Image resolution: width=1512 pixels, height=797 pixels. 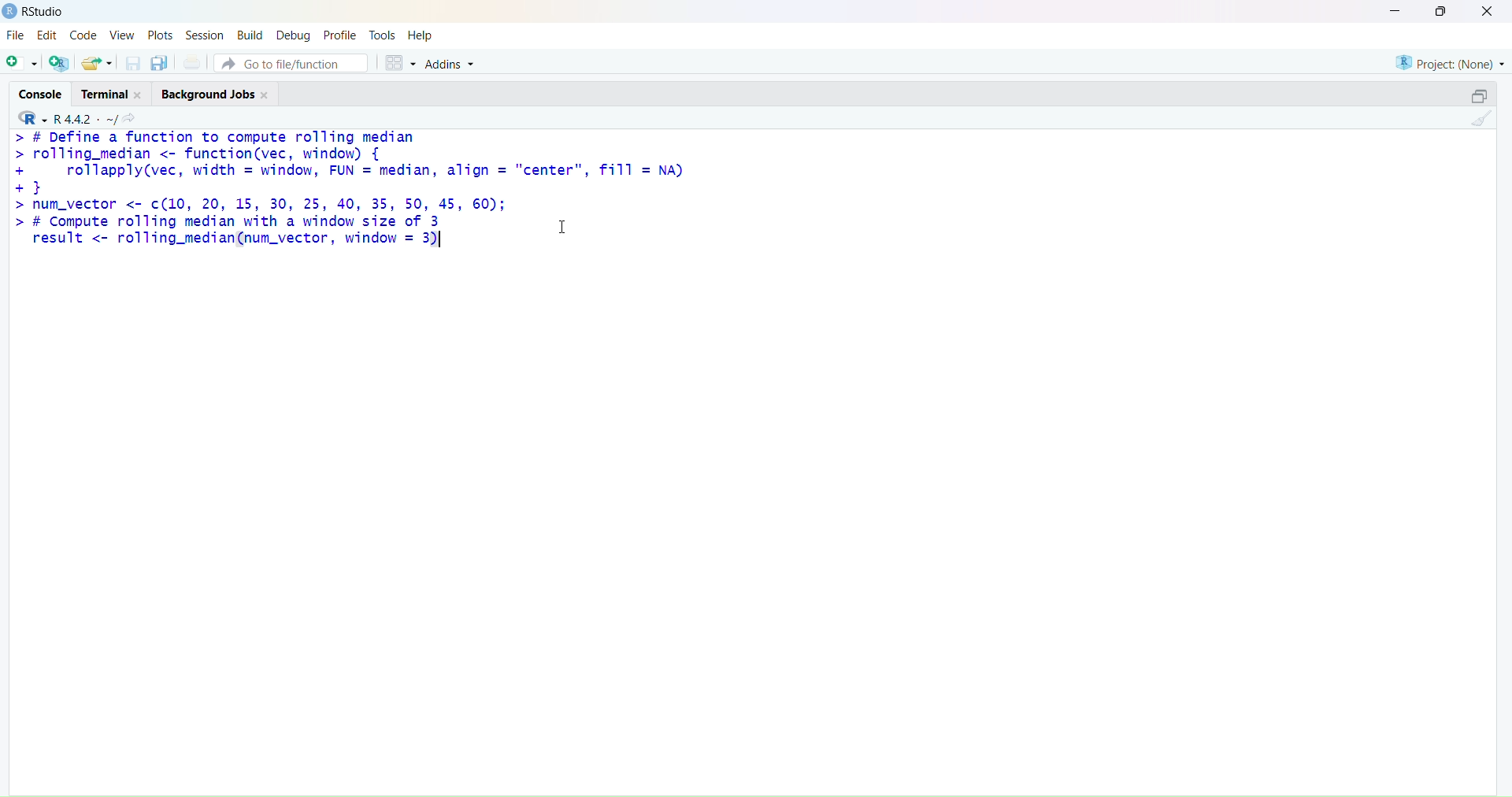 I want to click on terminal, so click(x=104, y=95).